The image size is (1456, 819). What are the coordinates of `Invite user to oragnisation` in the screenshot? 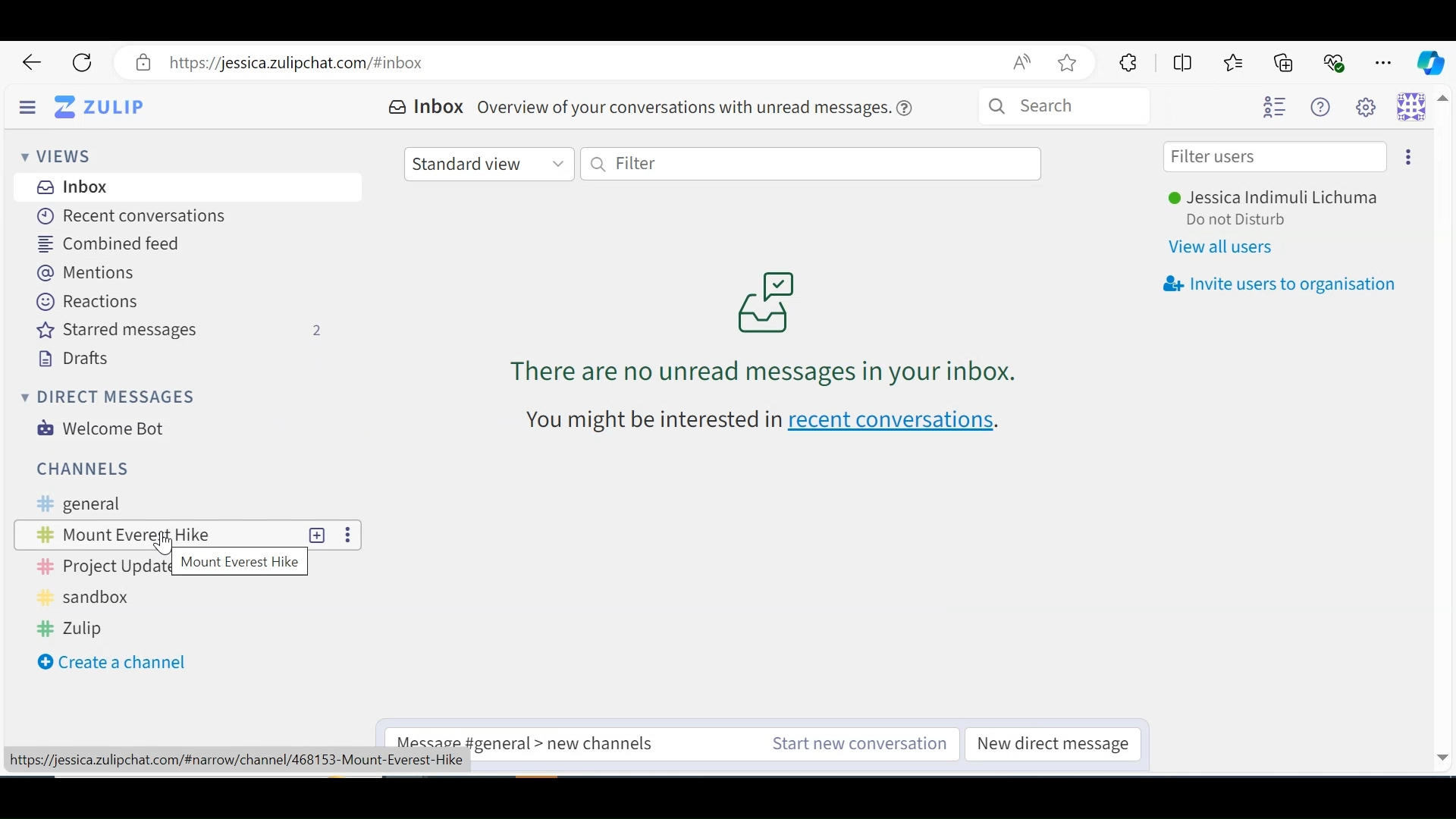 It's located at (1278, 285).